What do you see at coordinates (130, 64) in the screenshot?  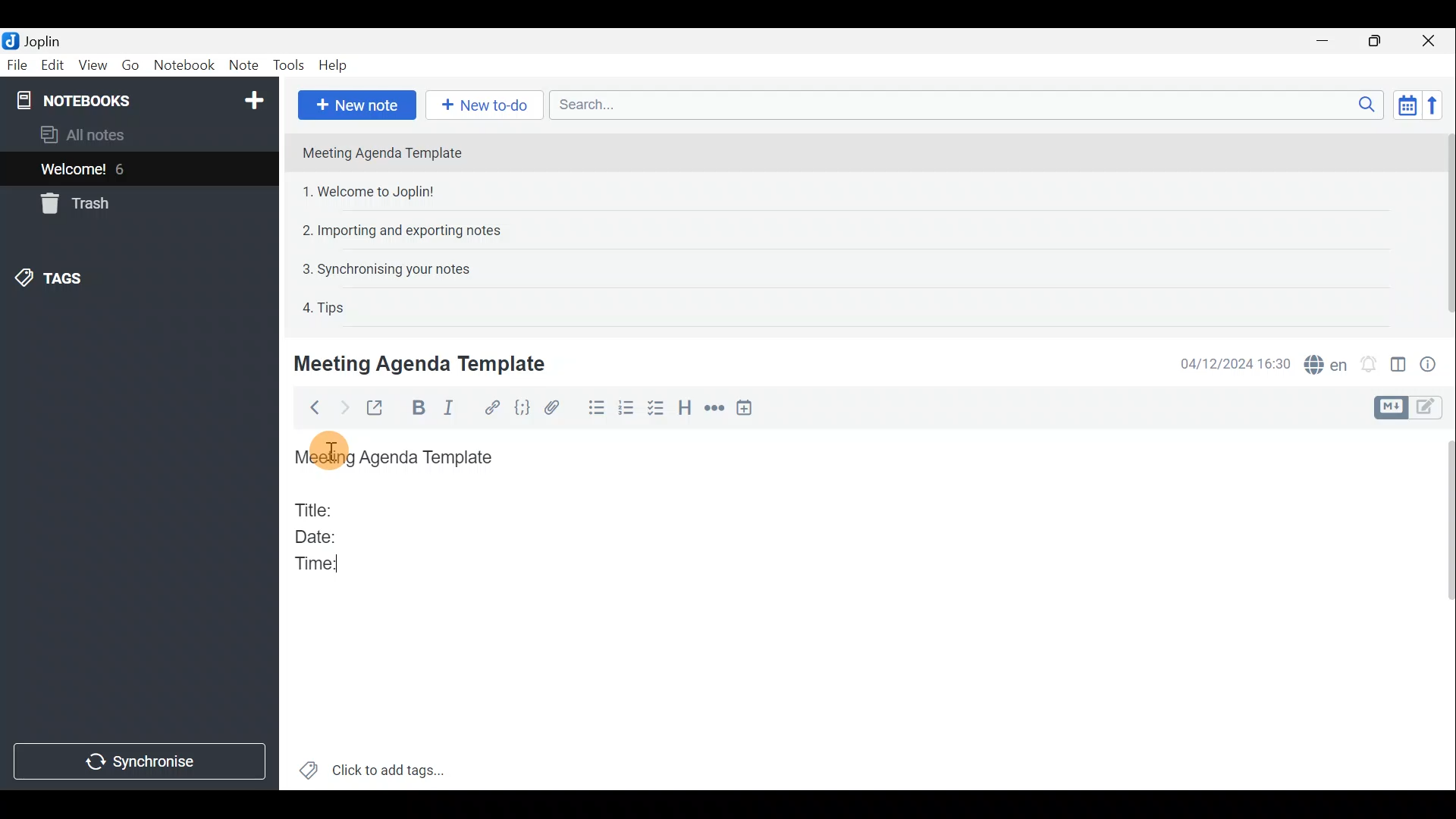 I see `Go` at bounding box center [130, 64].